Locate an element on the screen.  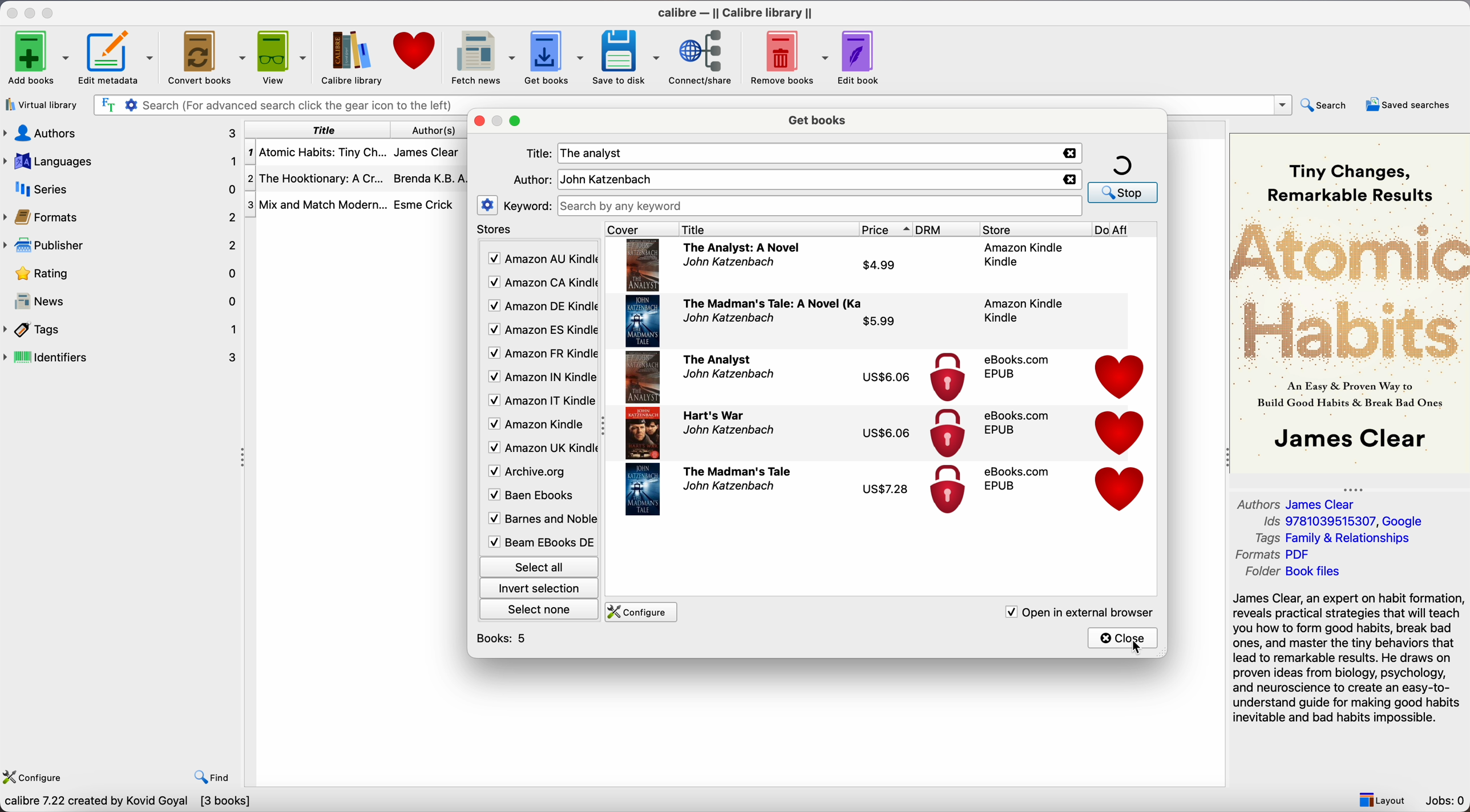
Book cover page is located at coordinates (643, 321).